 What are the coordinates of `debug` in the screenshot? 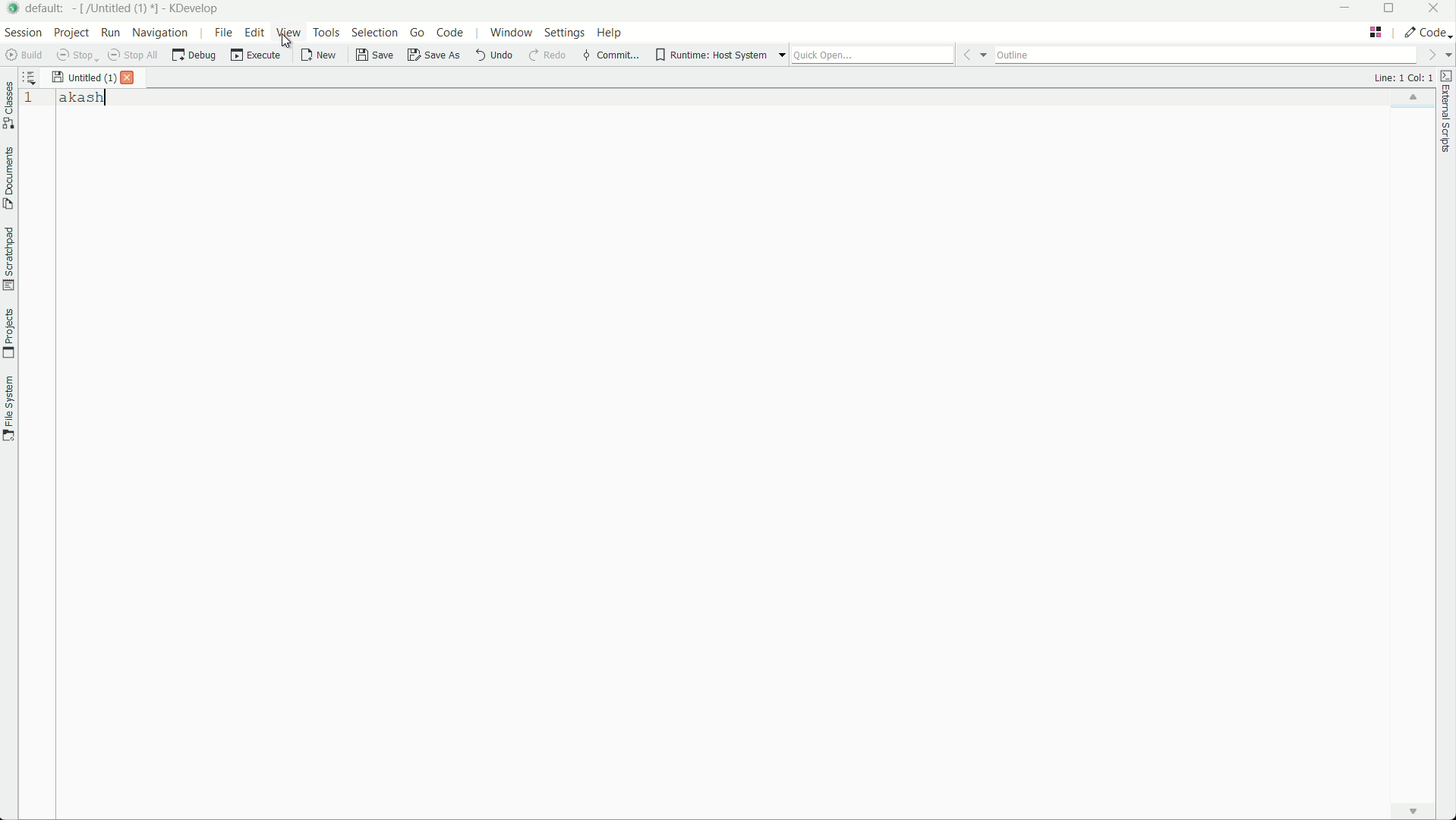 It's located at (194, 56).